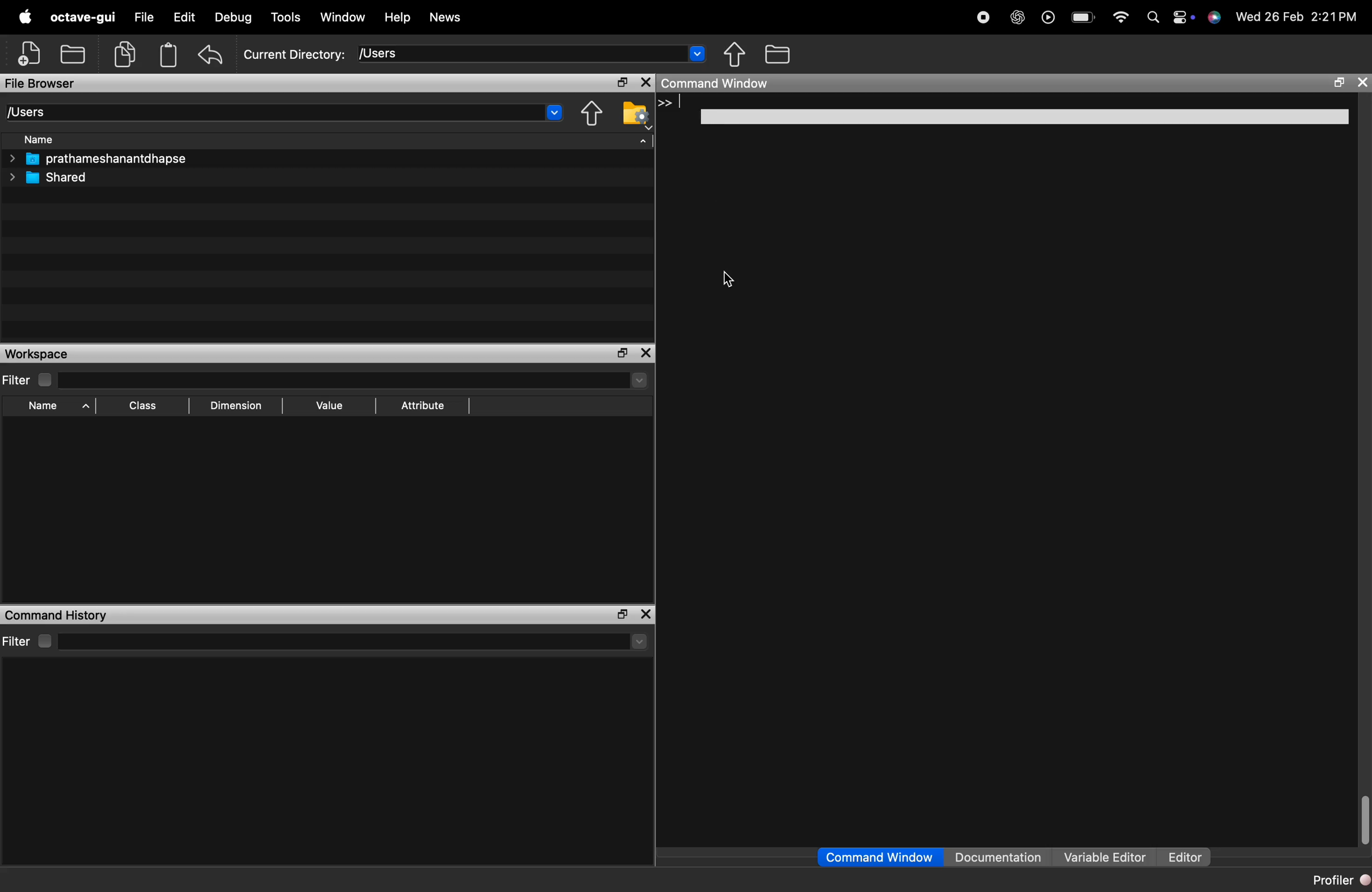 The height and width of the screenshot is (892, 1372). Describe the element at coordinates (80, 18) in the screenshot. I see `octave-gui` at that location.